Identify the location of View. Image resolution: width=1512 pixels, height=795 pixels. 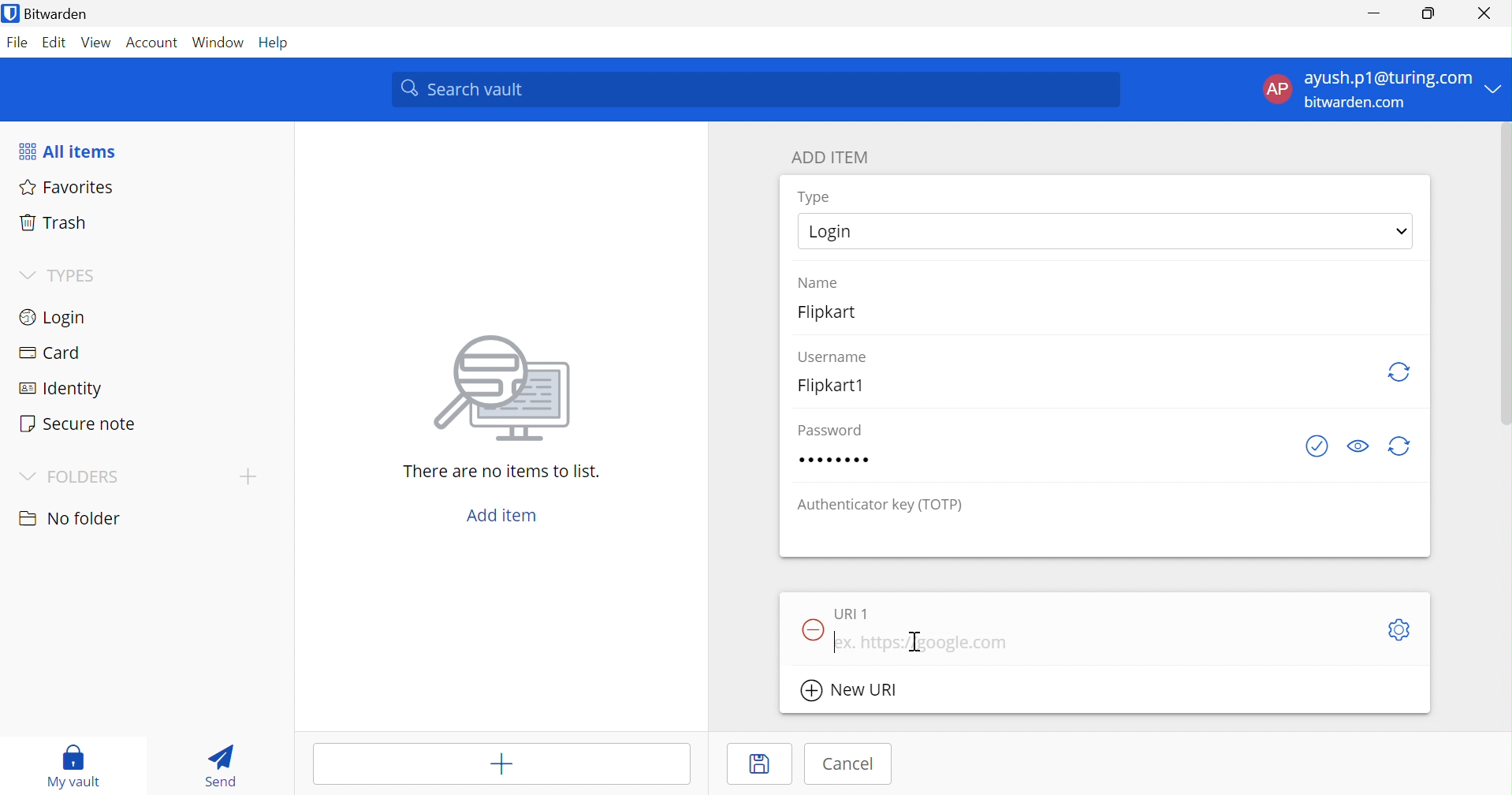
(94, 42).